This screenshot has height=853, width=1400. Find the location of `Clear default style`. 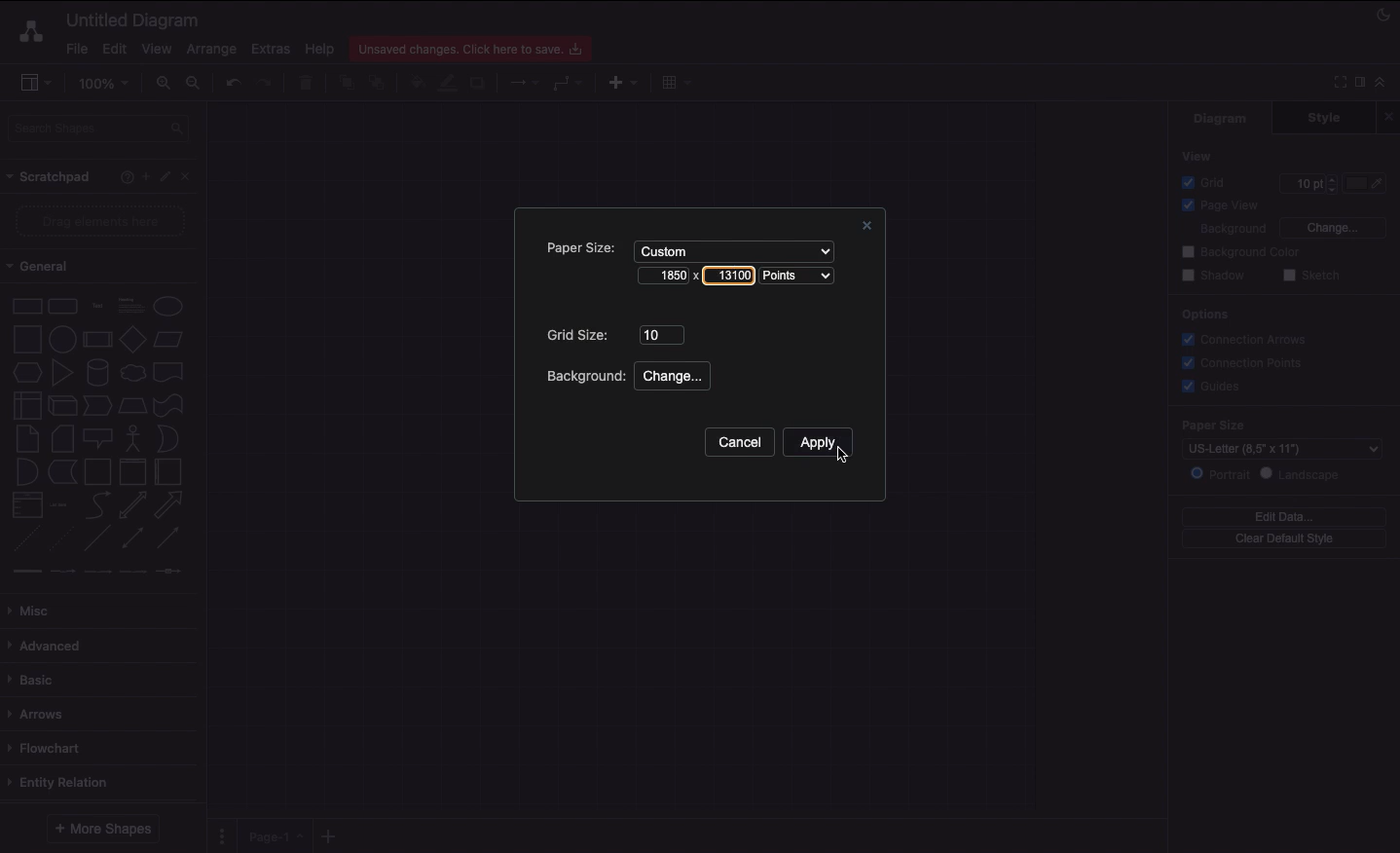

Clear default style is located at coordinates (1283, 539).